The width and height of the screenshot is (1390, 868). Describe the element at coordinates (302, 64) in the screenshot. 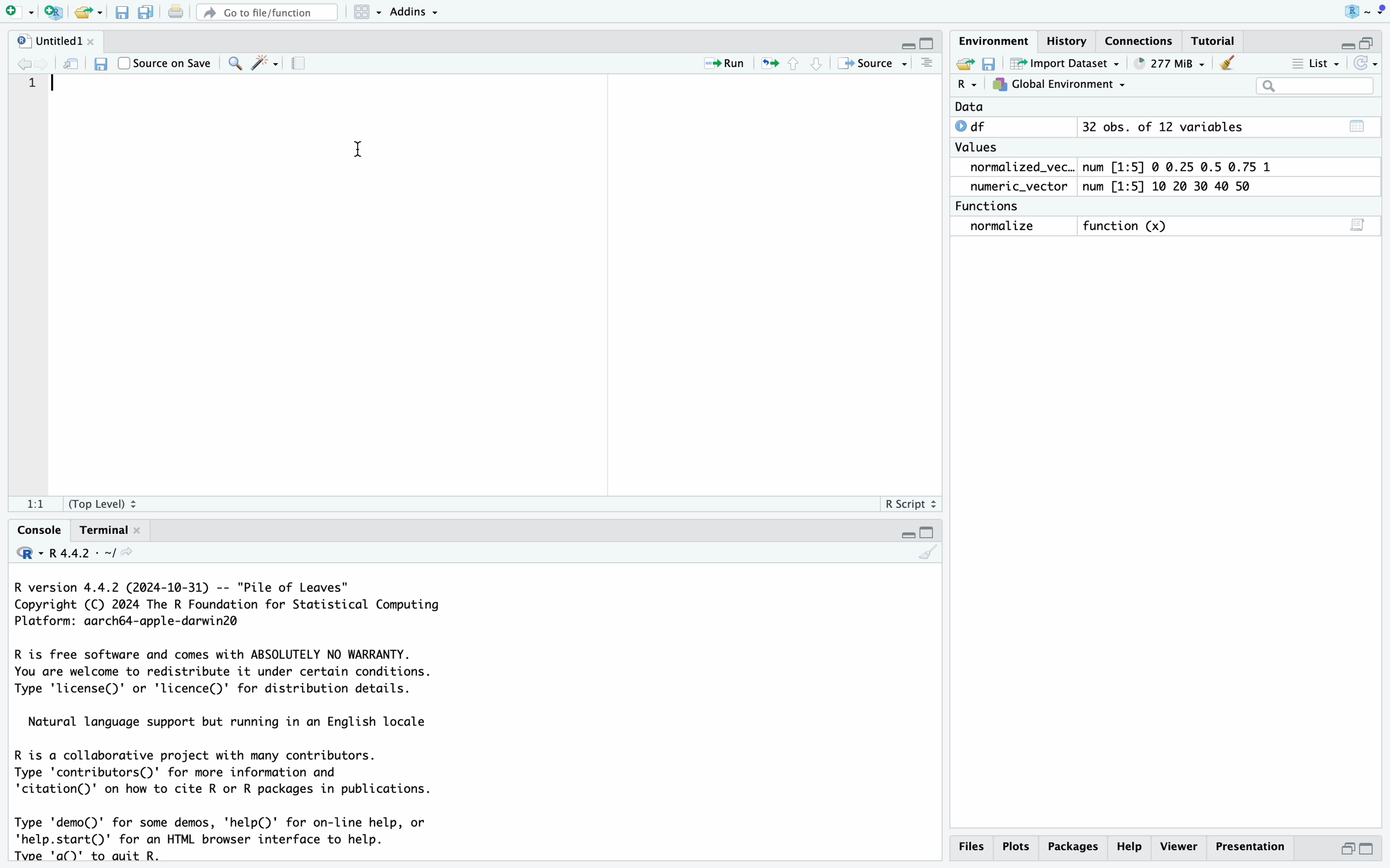

I see `SETTINGS` at that location.